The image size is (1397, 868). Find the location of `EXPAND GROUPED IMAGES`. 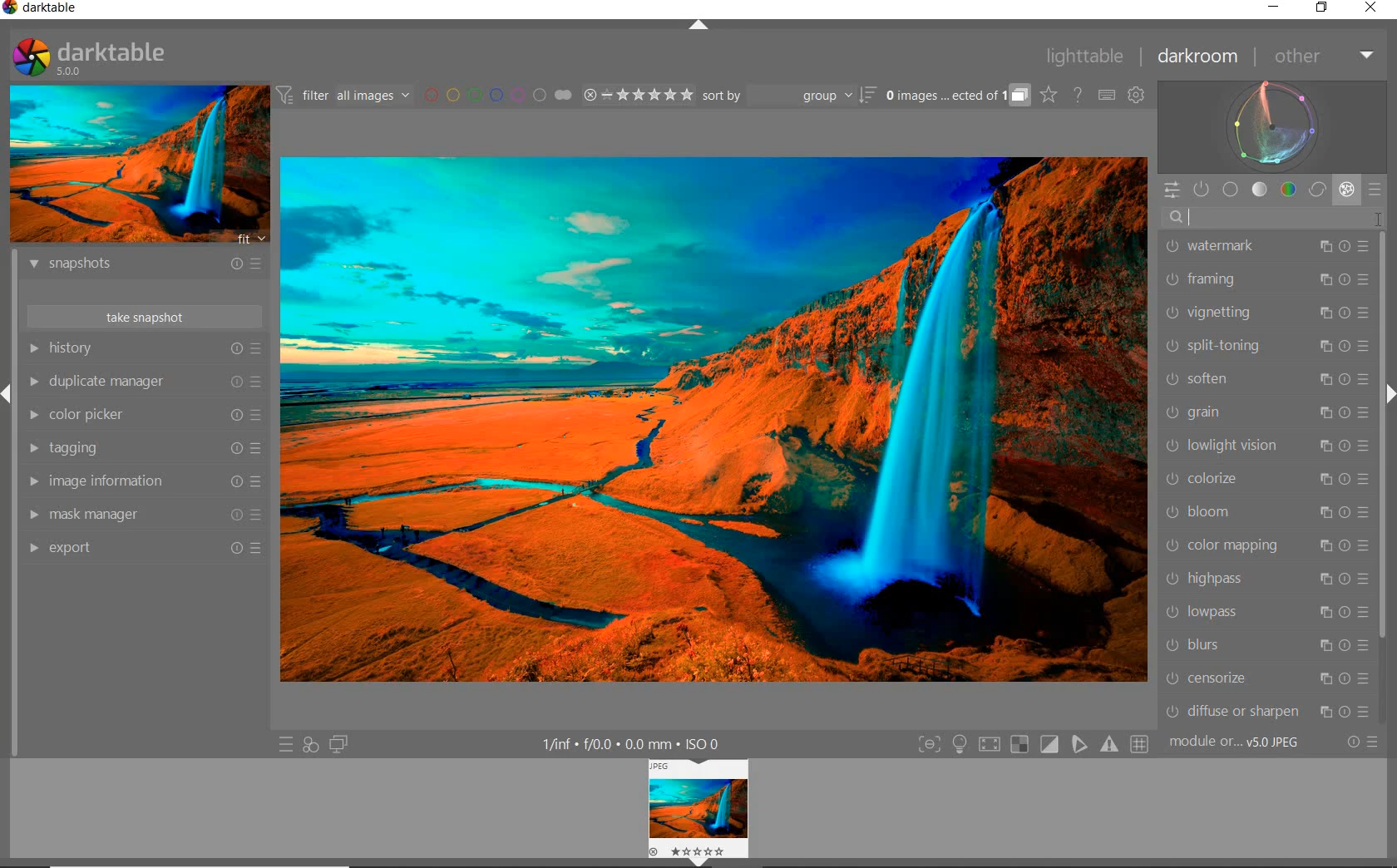

EXPAND GROUPED IMAGES is located at coordinates (958, 96).